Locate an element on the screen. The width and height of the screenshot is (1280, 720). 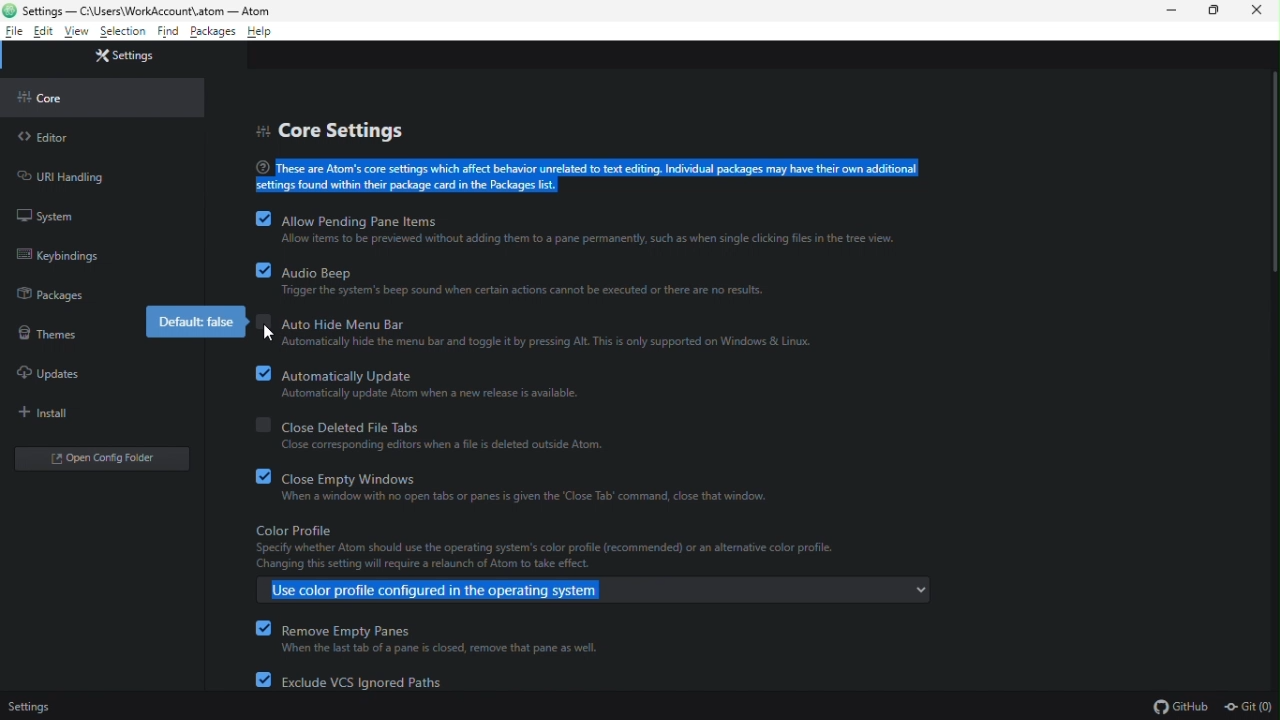
settings is located at coordinates (45, 708).